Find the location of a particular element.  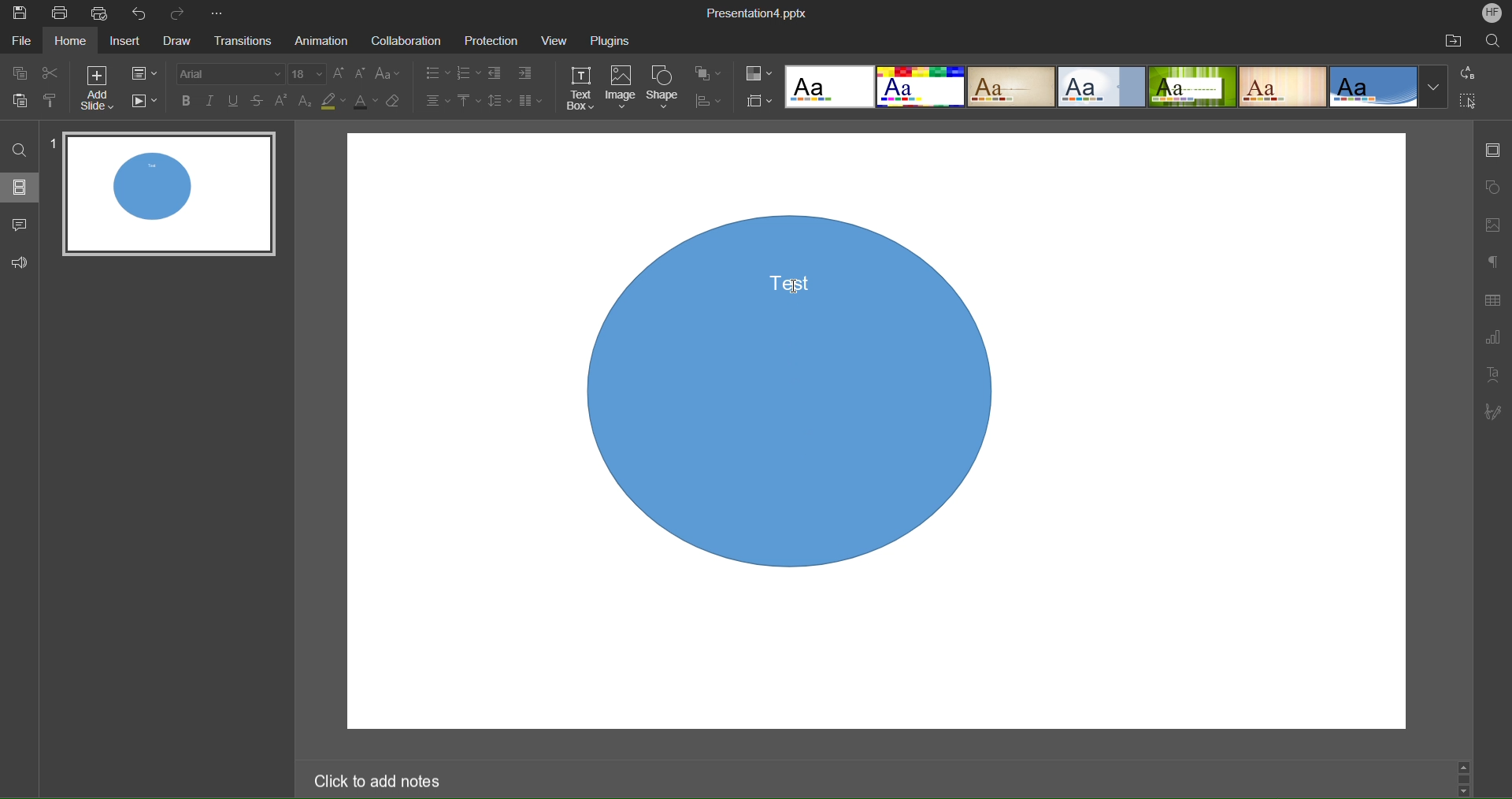

Font is located at coordinates (227, 75).